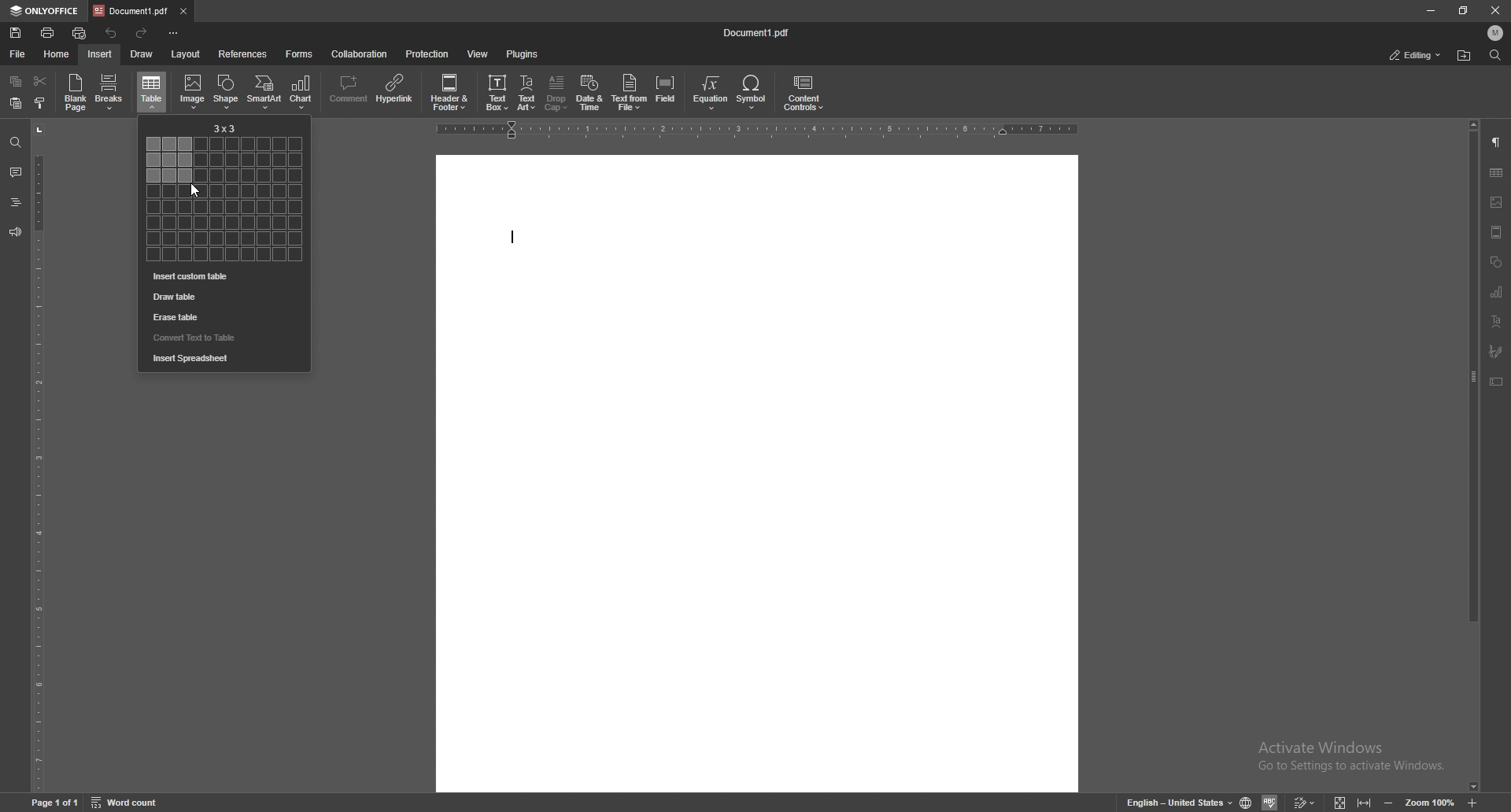 This screenshot has width=1511, height=812. Describe the element at coordinates (1474, 456) in the screenshot. I see `scroll bar` at that location.